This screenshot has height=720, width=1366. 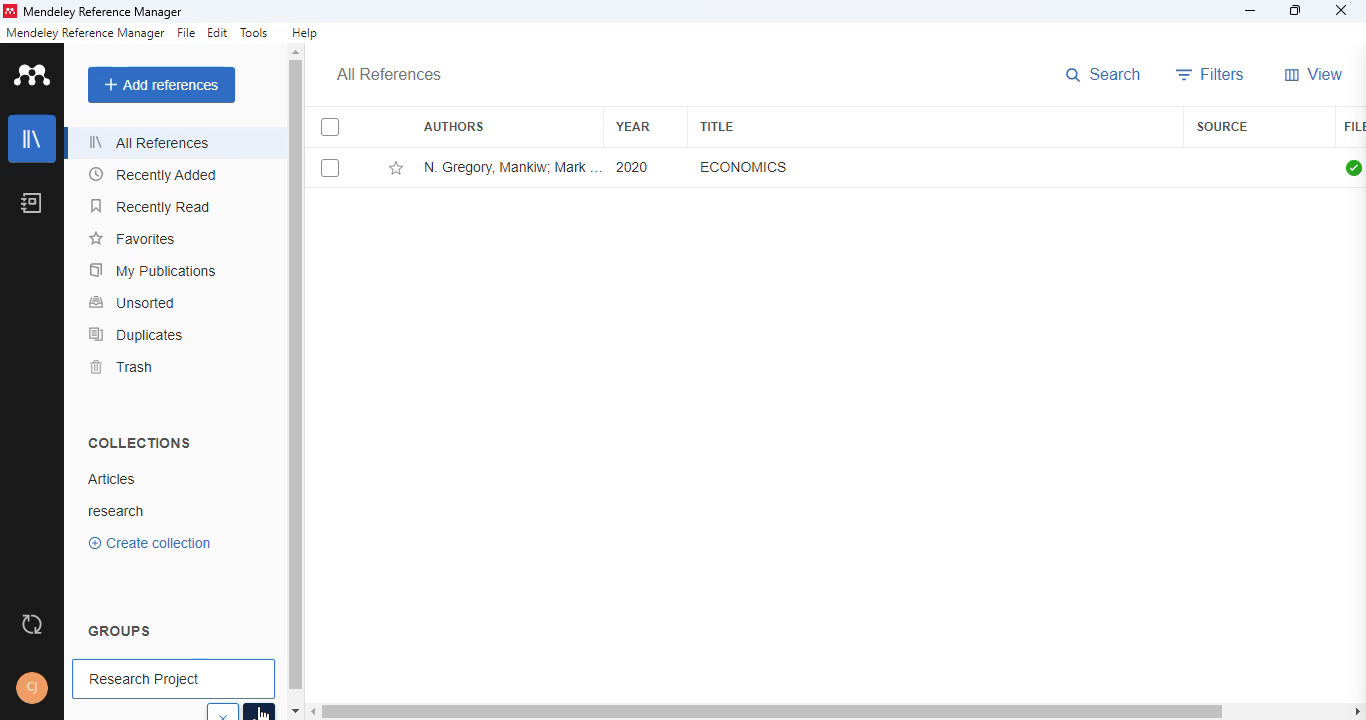 What do you see at coordinates (1211, 75) in the screenshot?
I see `filters` at bounding box center [1211, 75].